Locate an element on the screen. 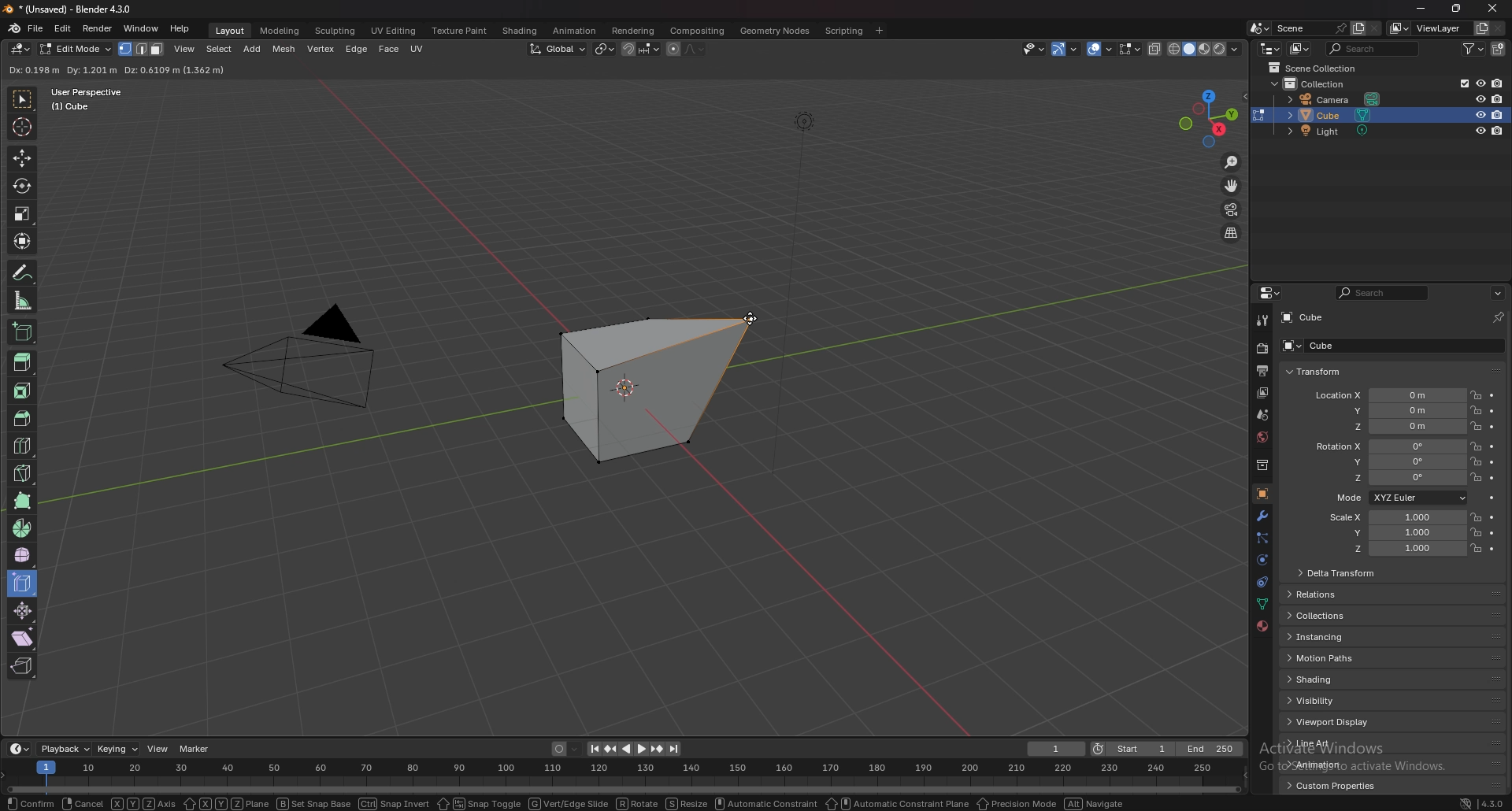  mode is located at coordinates (1399, 498).